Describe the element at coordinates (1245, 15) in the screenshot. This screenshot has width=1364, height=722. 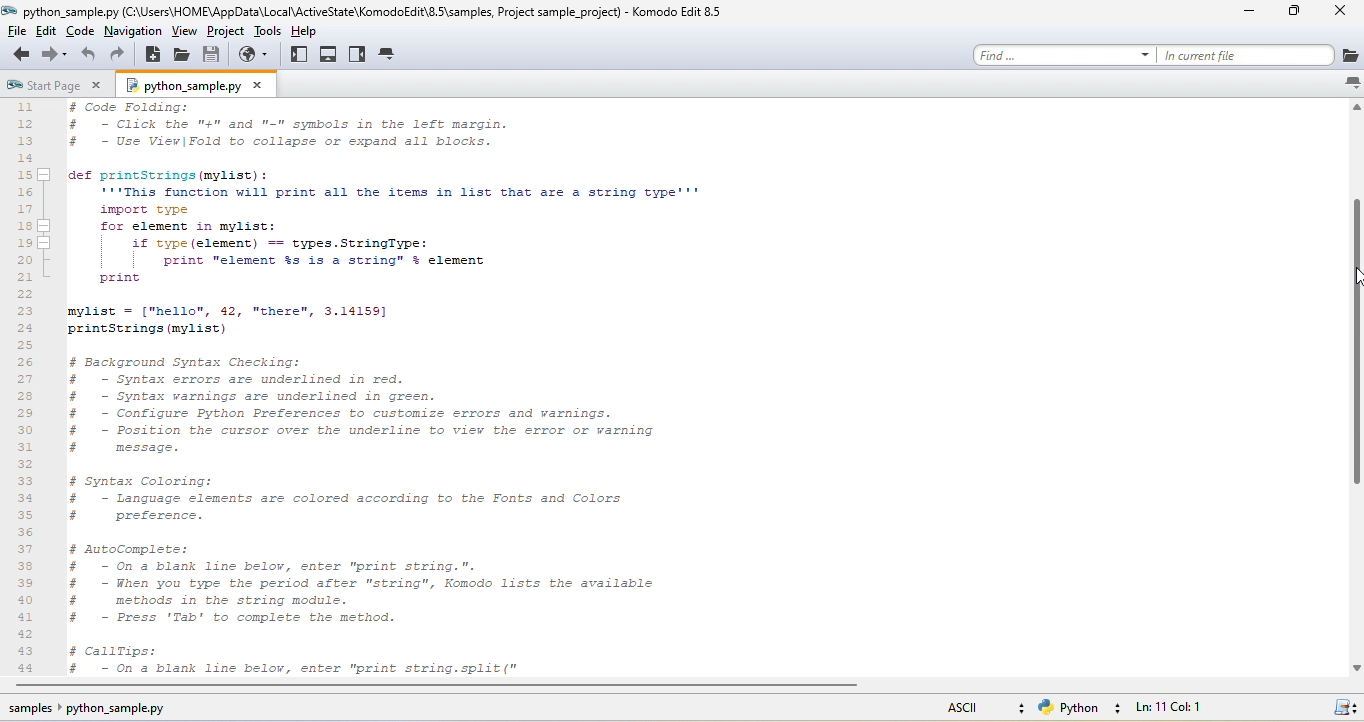
I see `minimize` at that location.